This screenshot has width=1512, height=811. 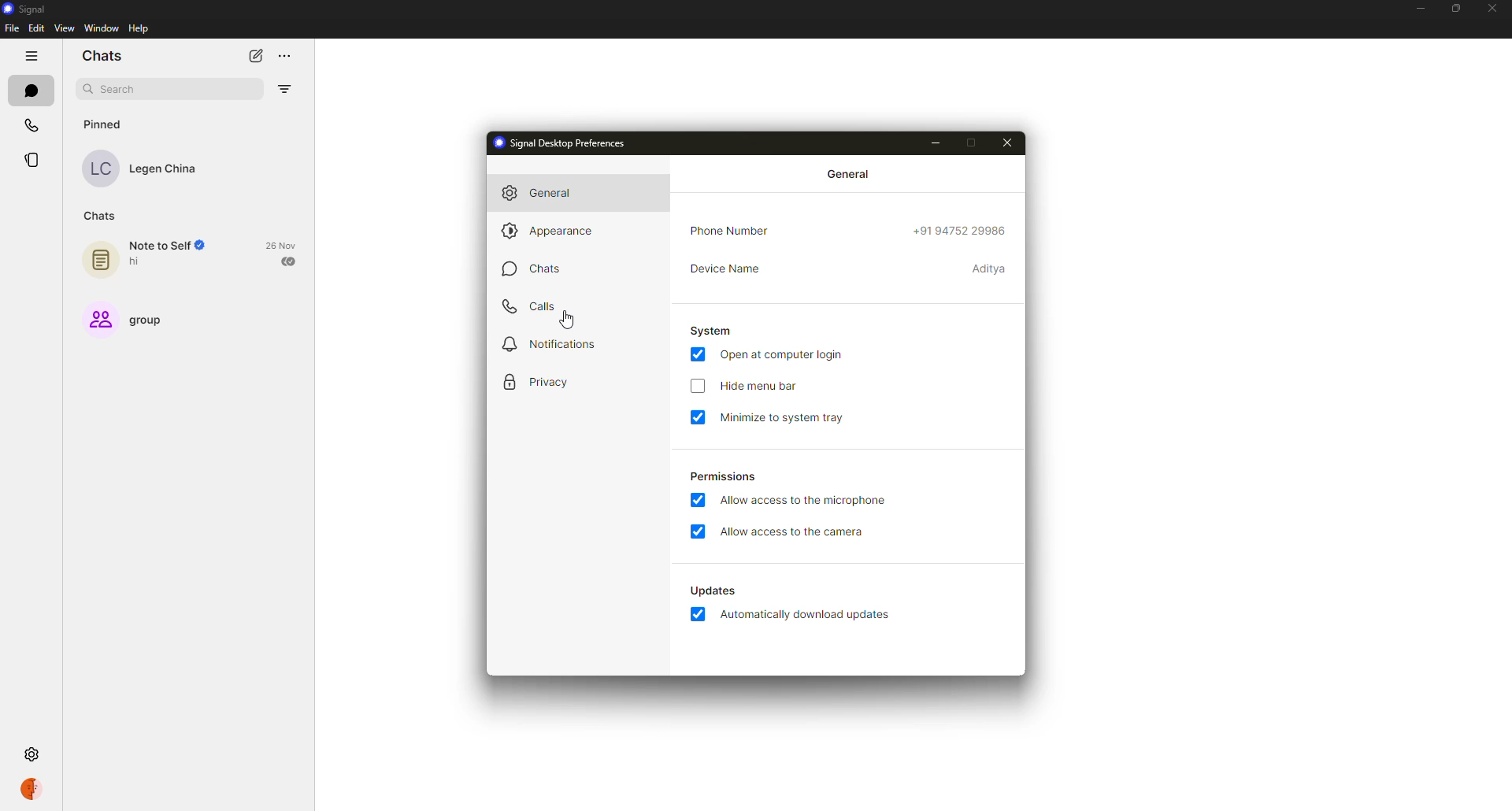 I want to click on Mouse Cursor, so click(x=566, y=319).